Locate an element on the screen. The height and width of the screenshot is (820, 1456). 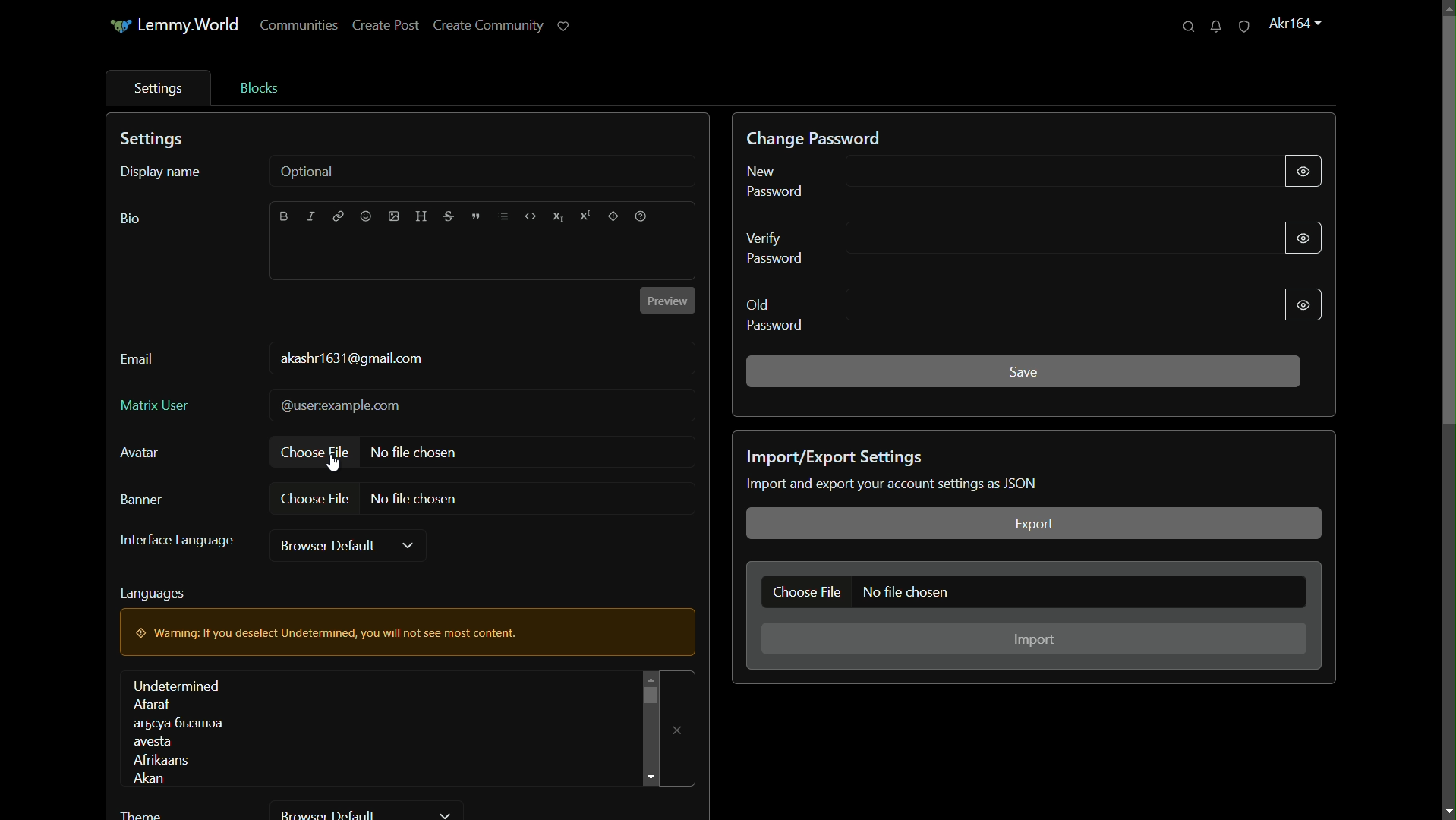
languages is located at coordinates (153, 594).